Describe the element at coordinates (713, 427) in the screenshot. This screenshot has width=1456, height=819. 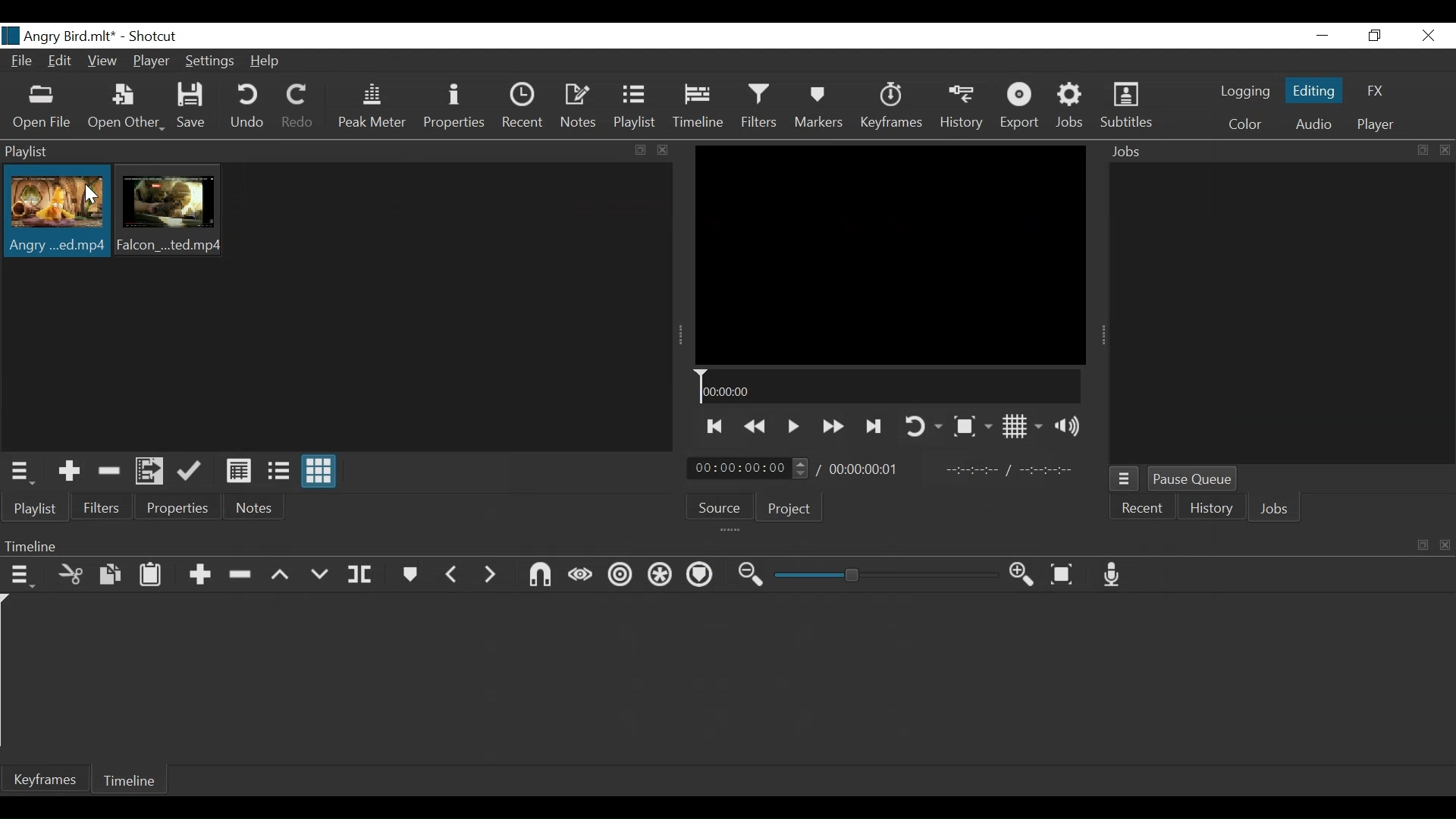
I see `Skip to the previous point` at that location.